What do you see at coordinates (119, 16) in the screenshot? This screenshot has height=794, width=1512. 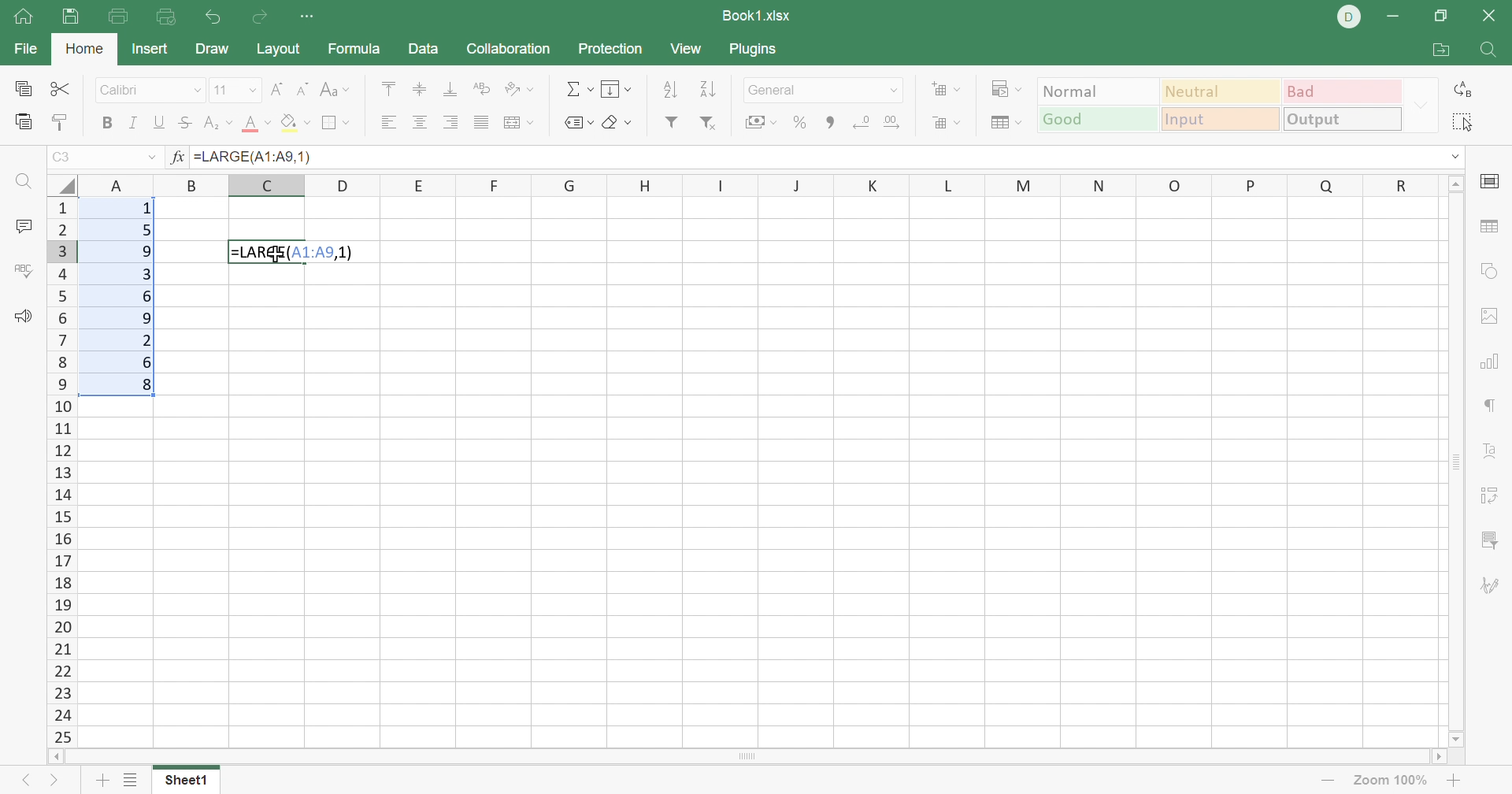 I see `Print` at bounding box center [119, 16].